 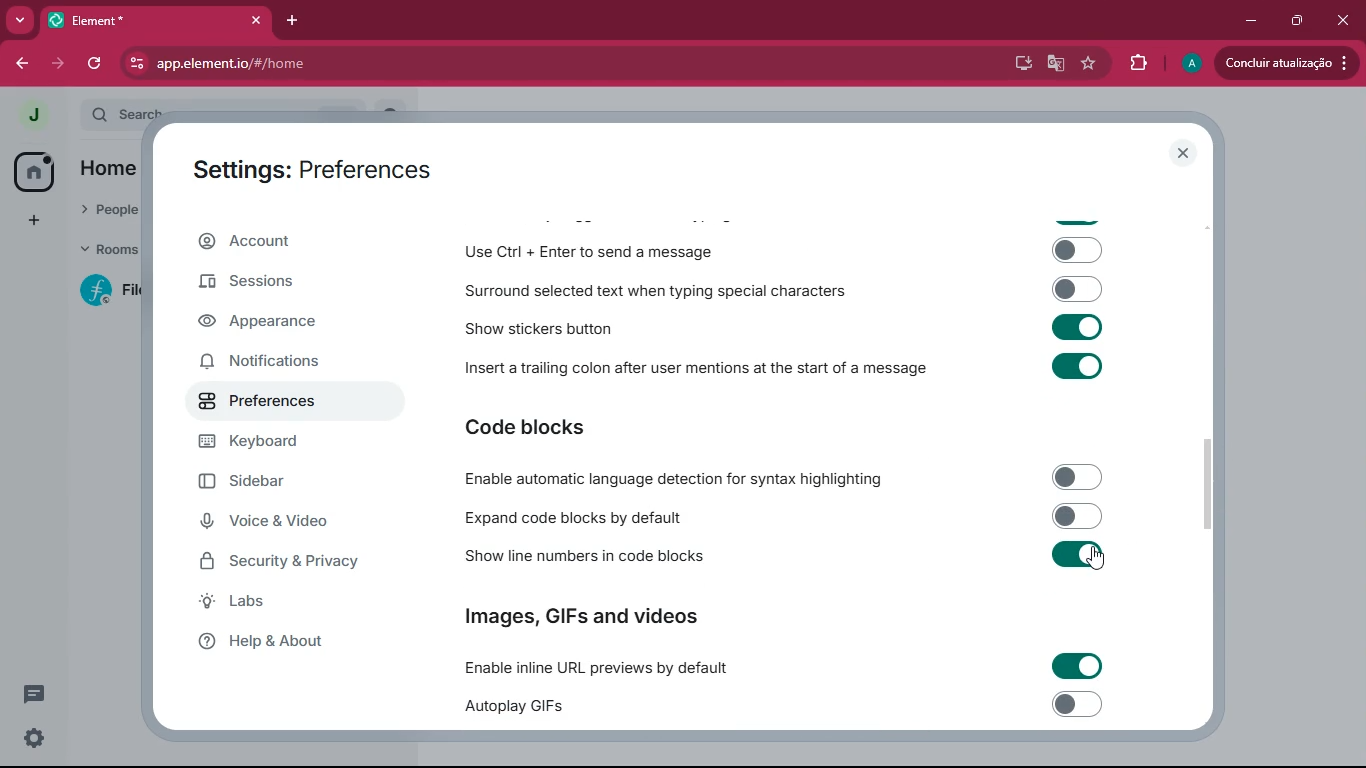 I want to click on settings: preferences, so click(x=310, y=166).